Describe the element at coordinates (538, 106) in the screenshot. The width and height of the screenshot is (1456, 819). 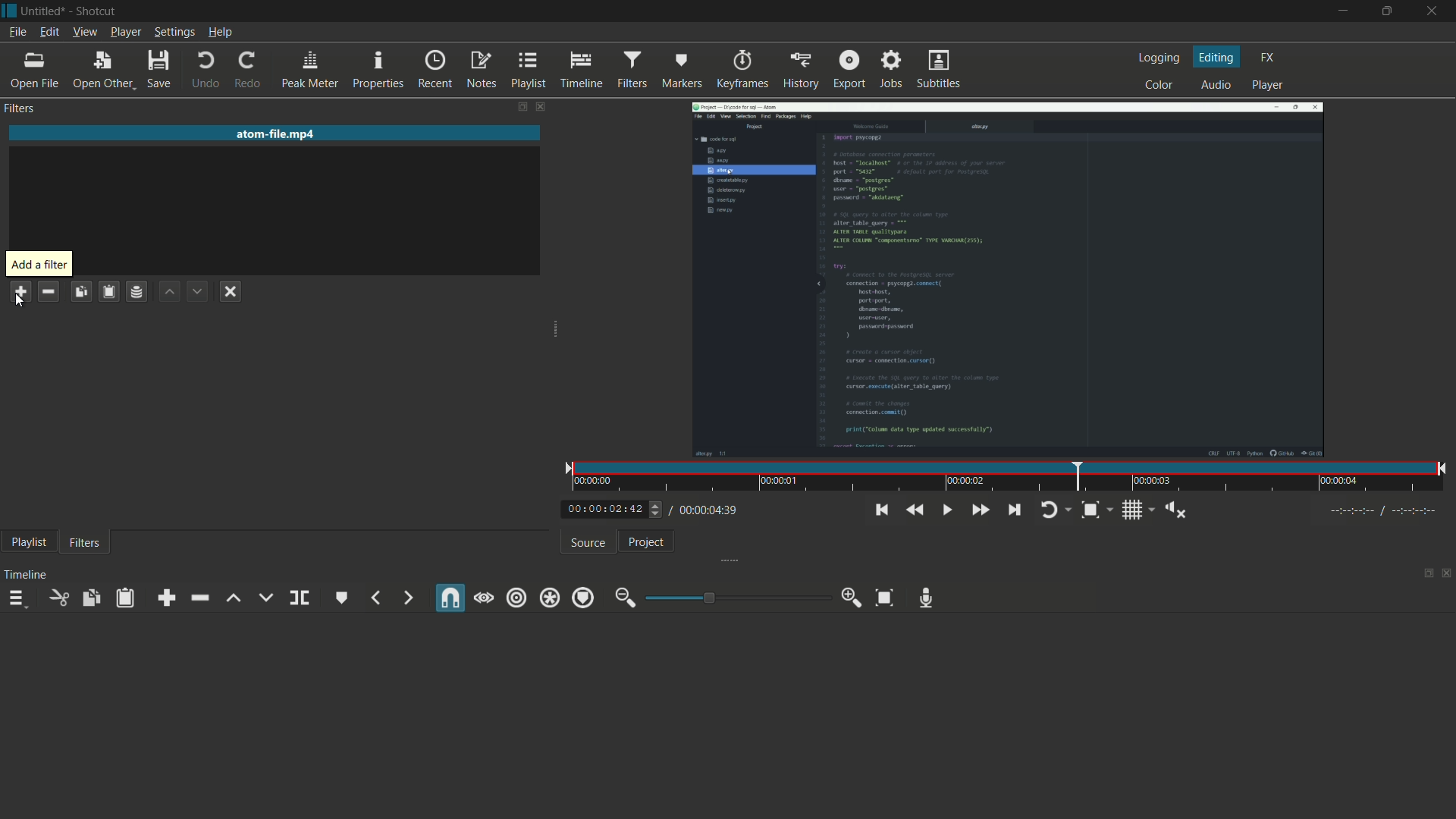
I see `close filter` at that location.